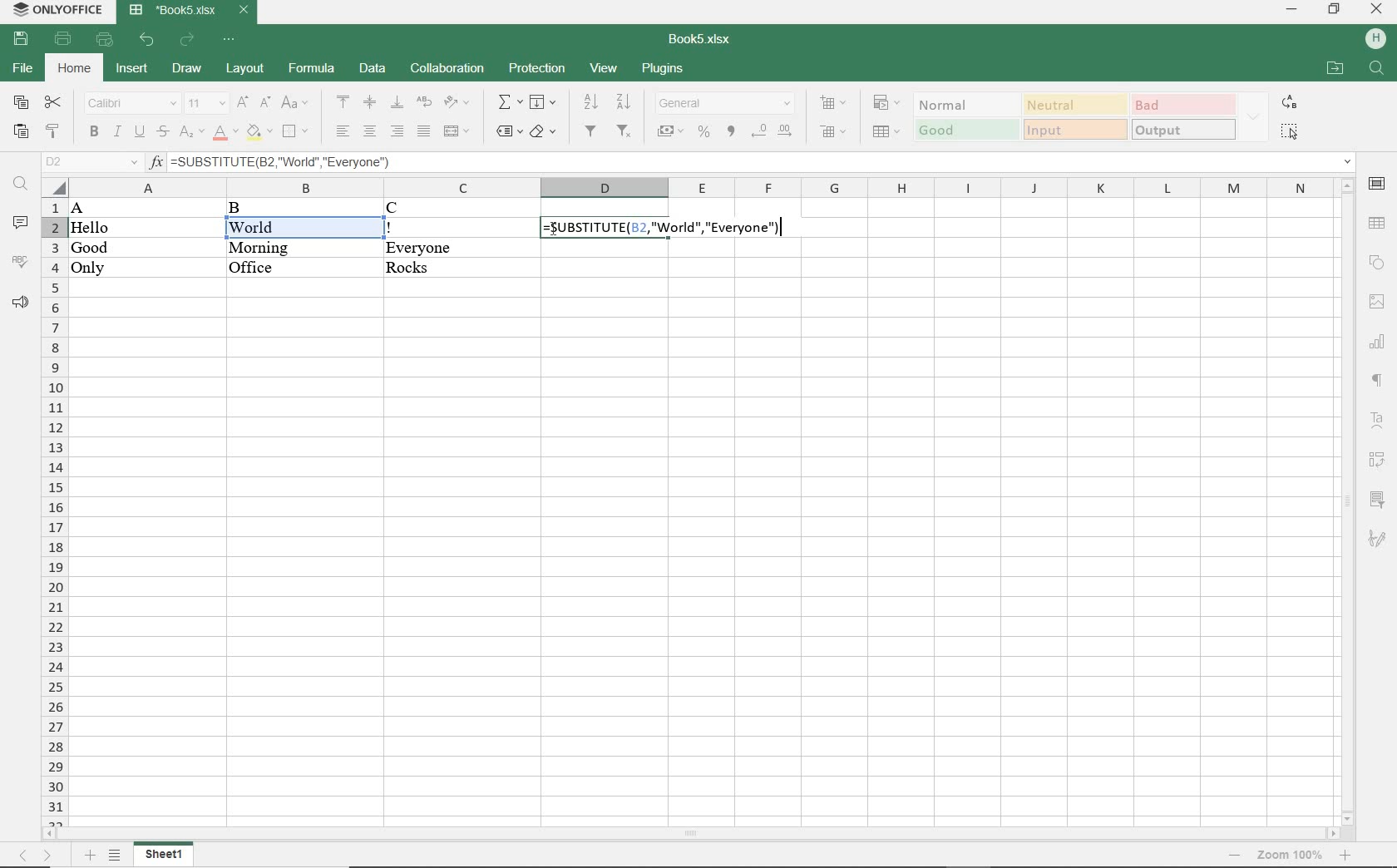 This screenshot has height=868, width=1397. I want to click on formula, so click(313, 70).